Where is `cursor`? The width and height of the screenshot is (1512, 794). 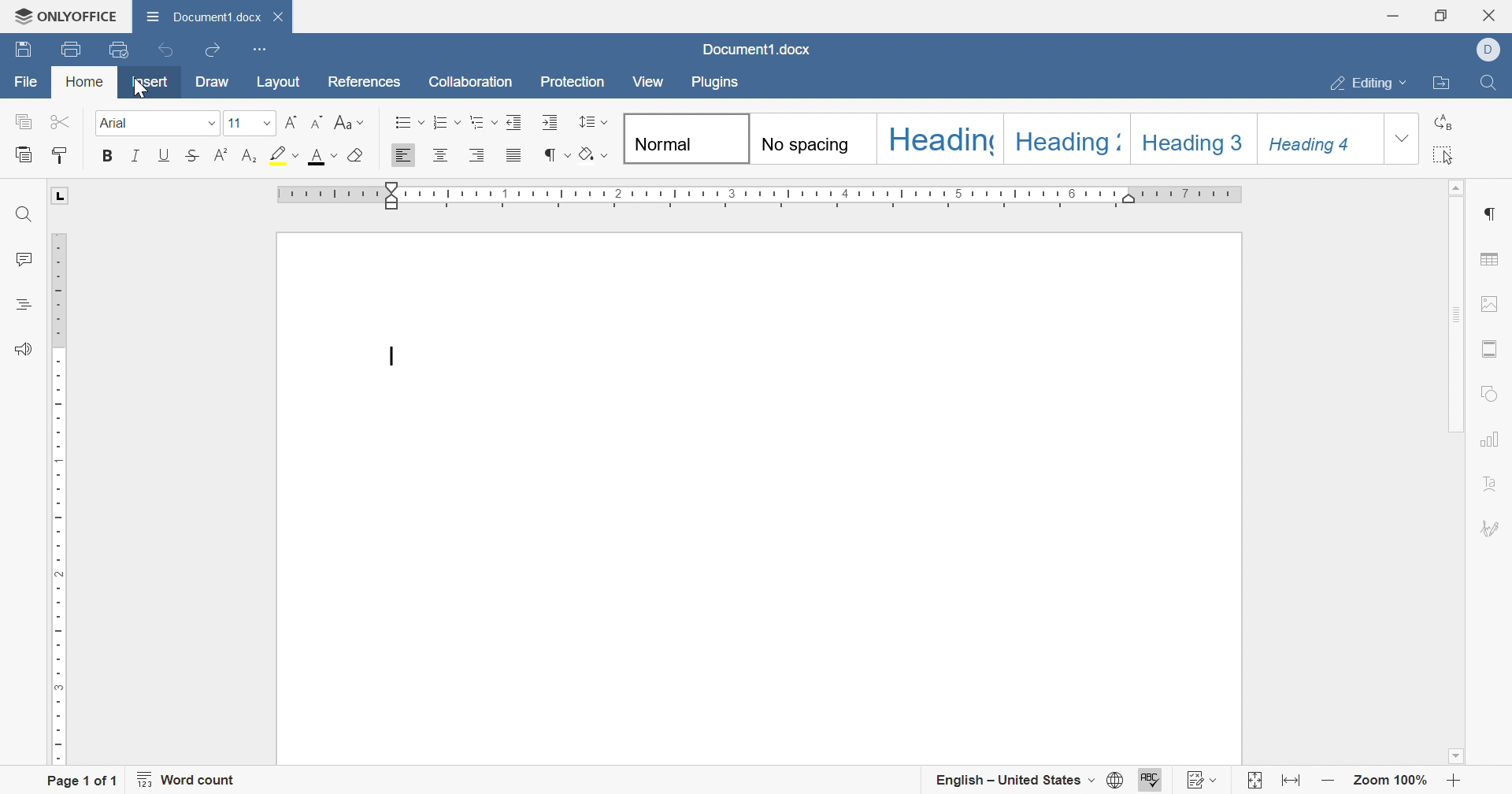 cursor is located at coordinates (147, 95).